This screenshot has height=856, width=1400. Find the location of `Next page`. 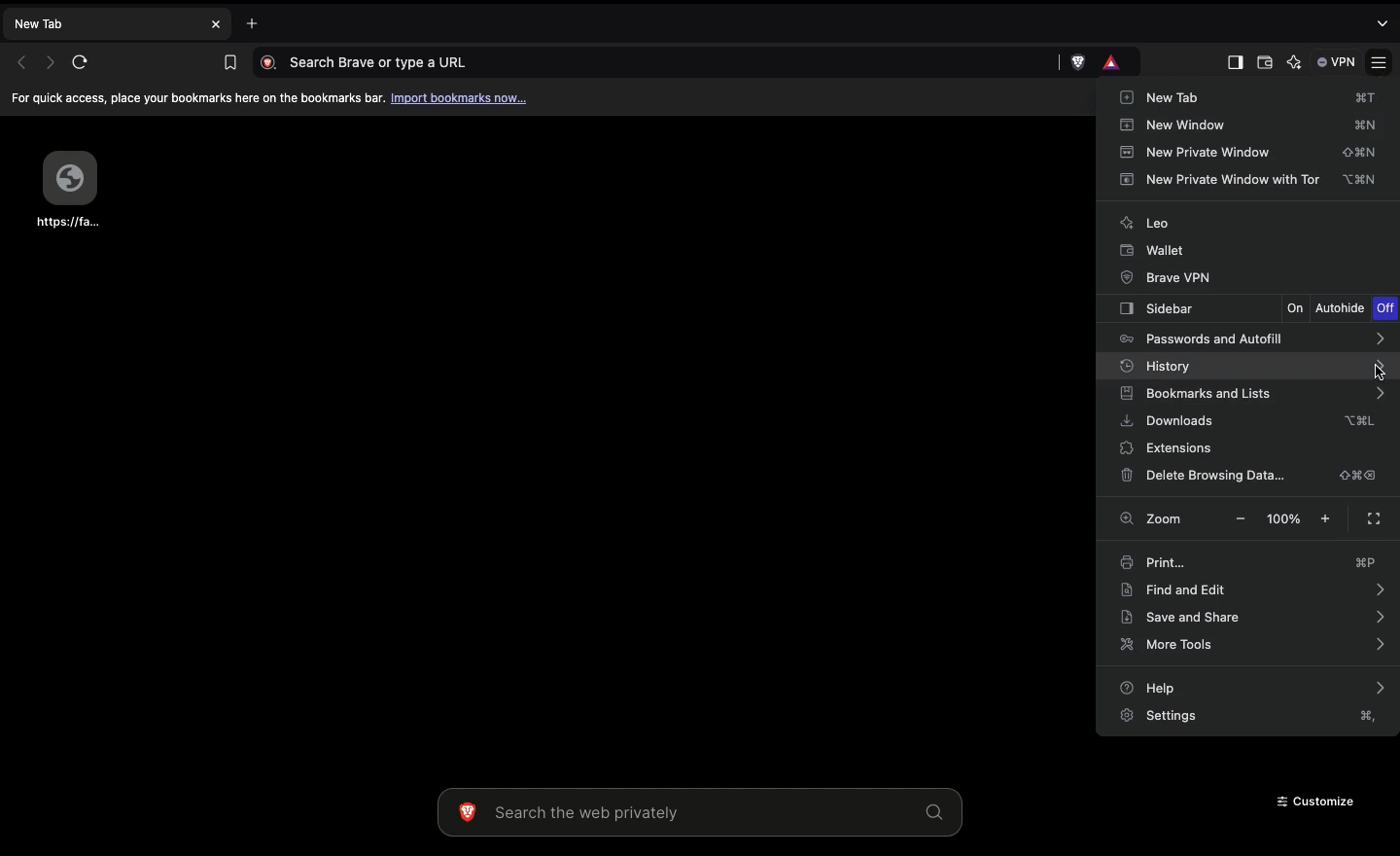

Next page is located at coordinates (47, 62).